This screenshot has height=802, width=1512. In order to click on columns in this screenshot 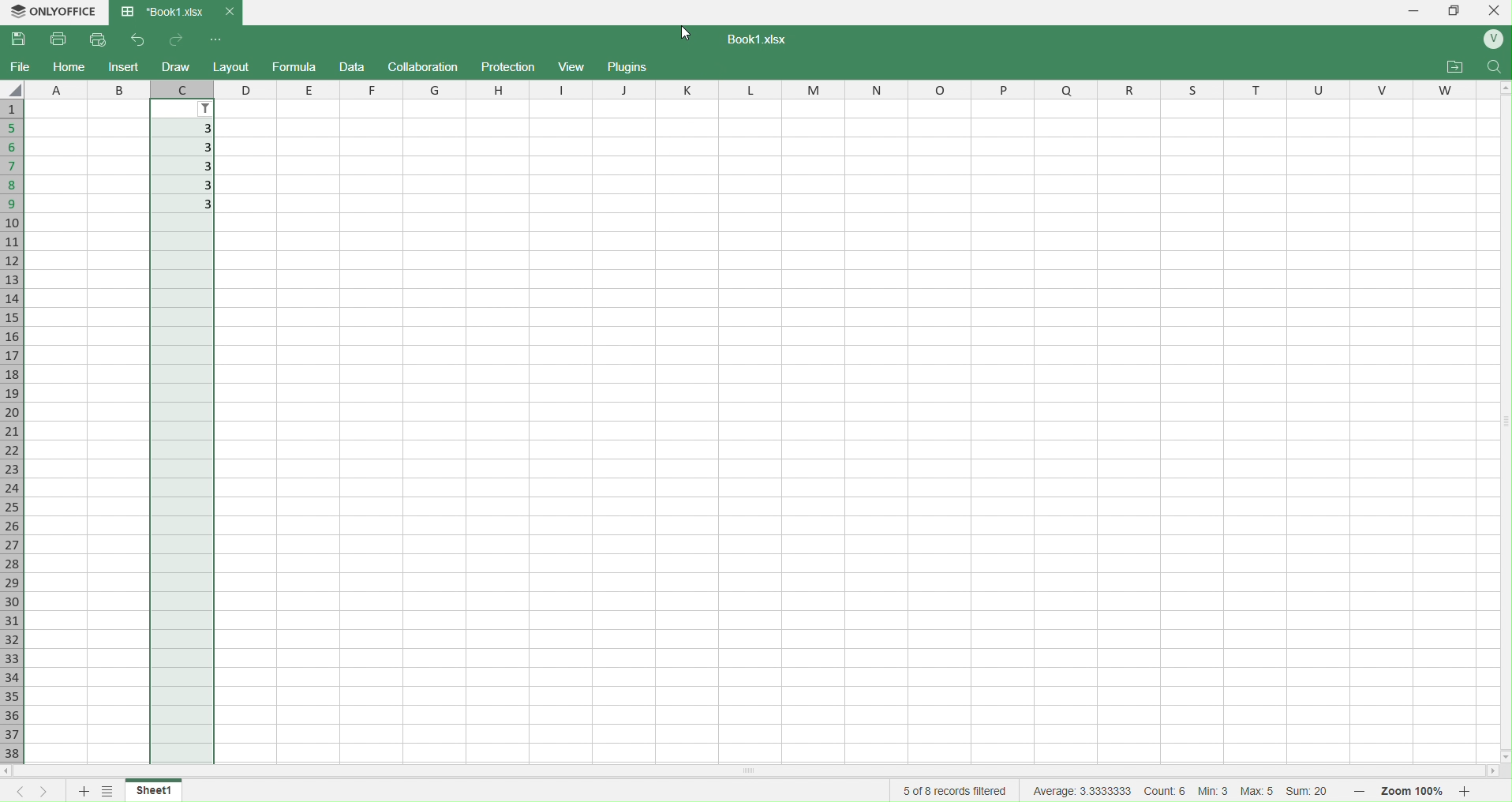, I will do `click(849, 88)`.